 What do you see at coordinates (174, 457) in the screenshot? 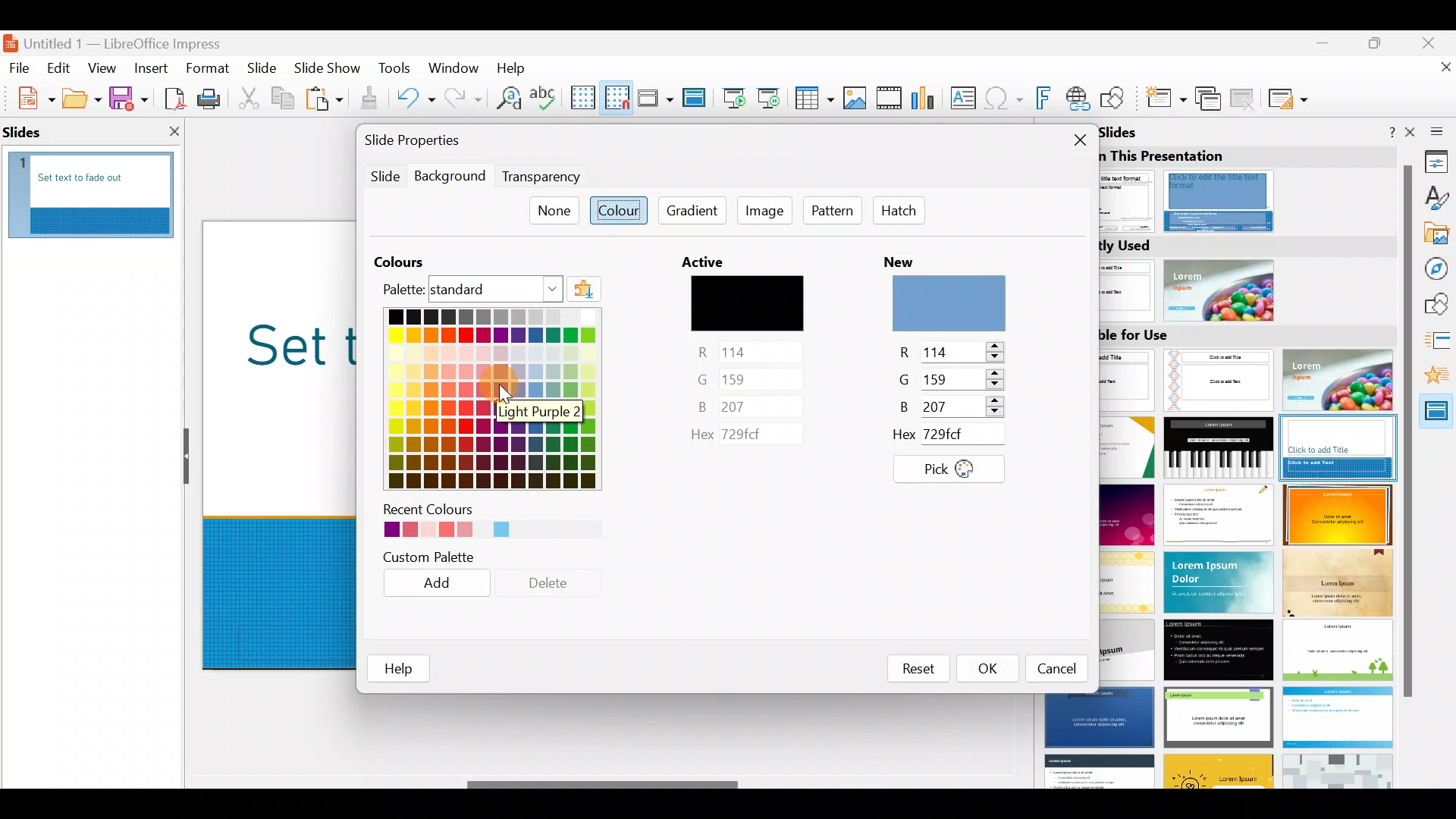
I see `` at bounding box center [174, 457].